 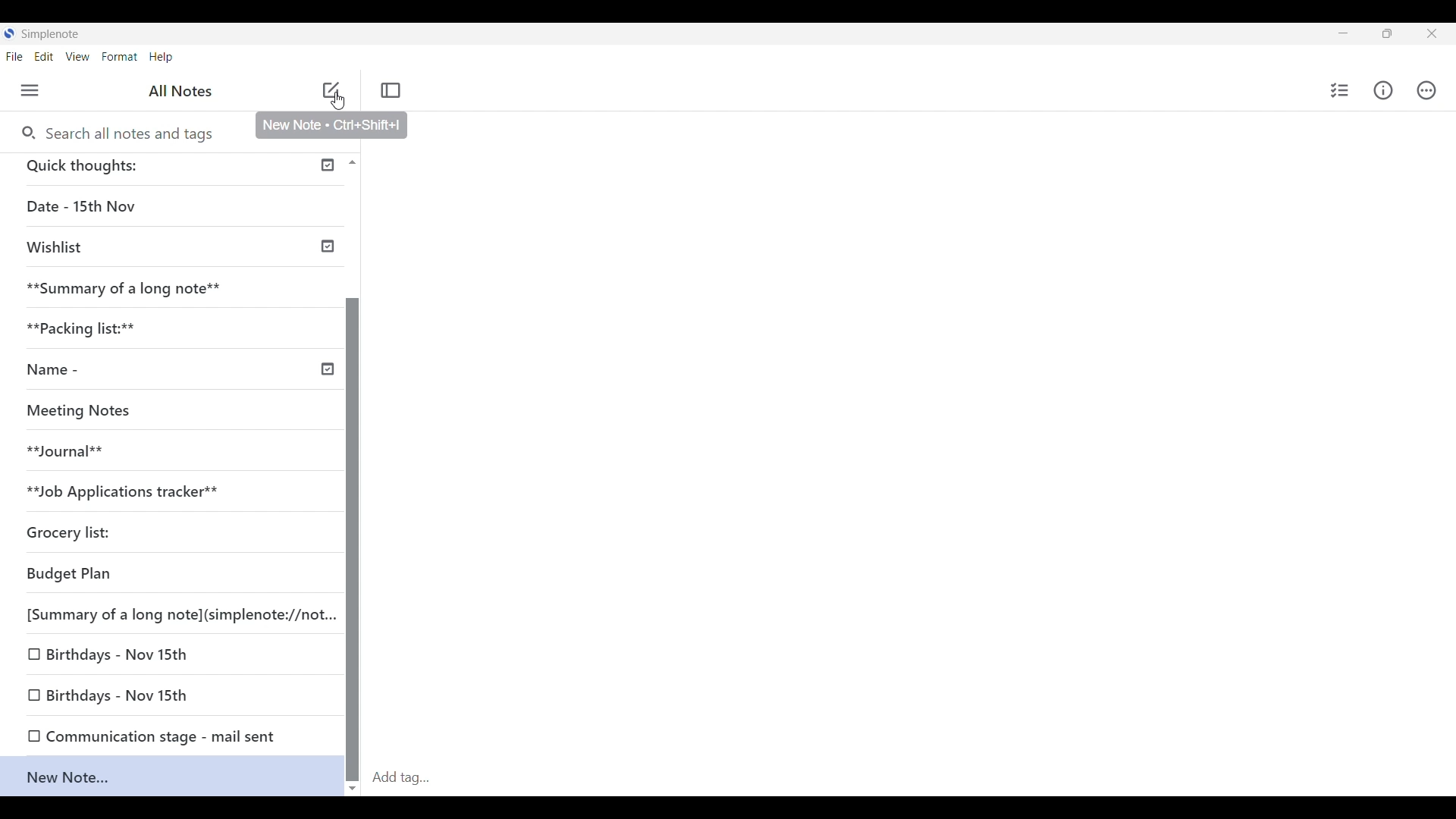 I want to click on Meeting Notes, so click(x=167, y=411).